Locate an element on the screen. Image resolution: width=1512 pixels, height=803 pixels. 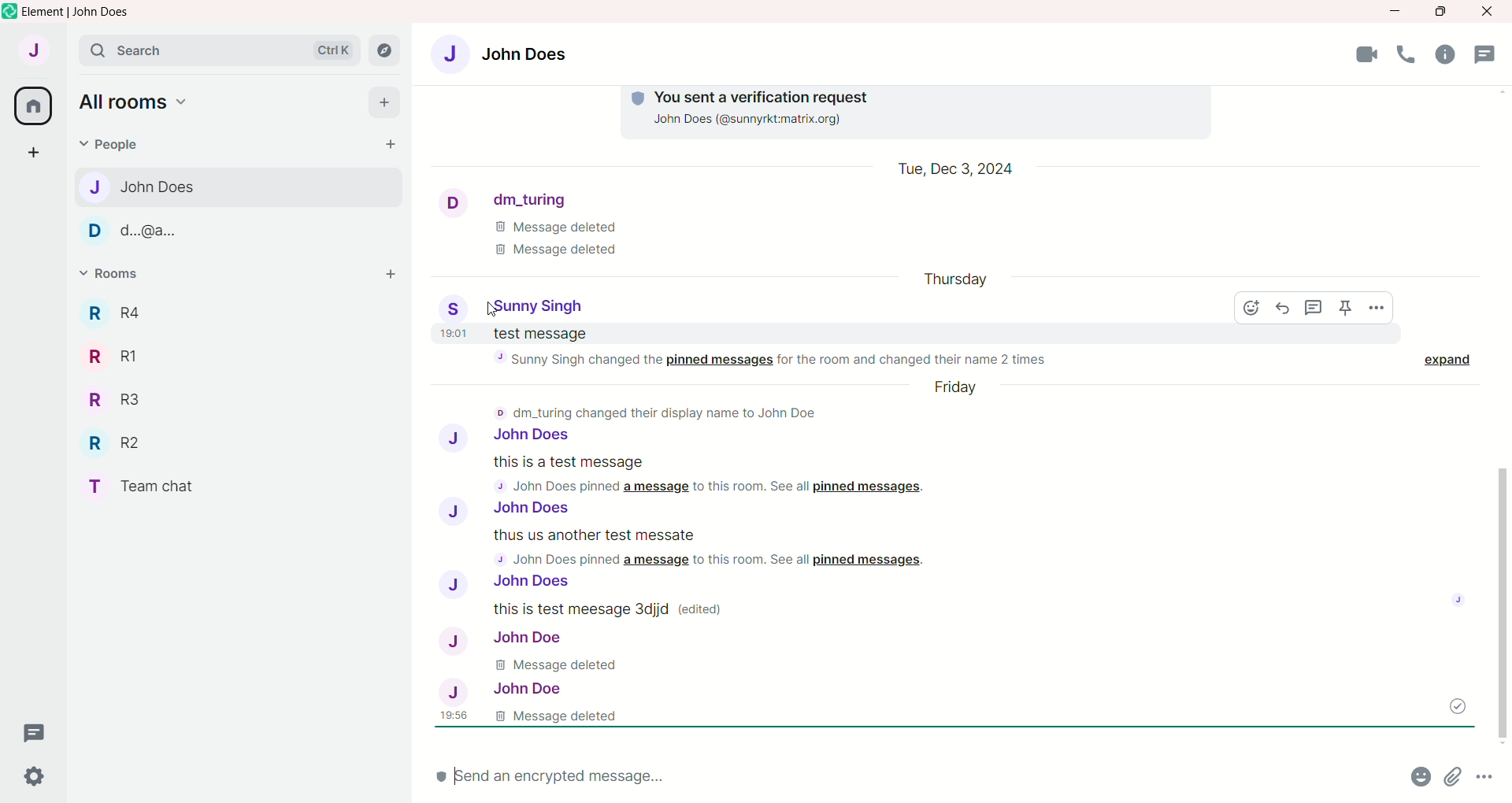
day is located at coordinates (958, 385).